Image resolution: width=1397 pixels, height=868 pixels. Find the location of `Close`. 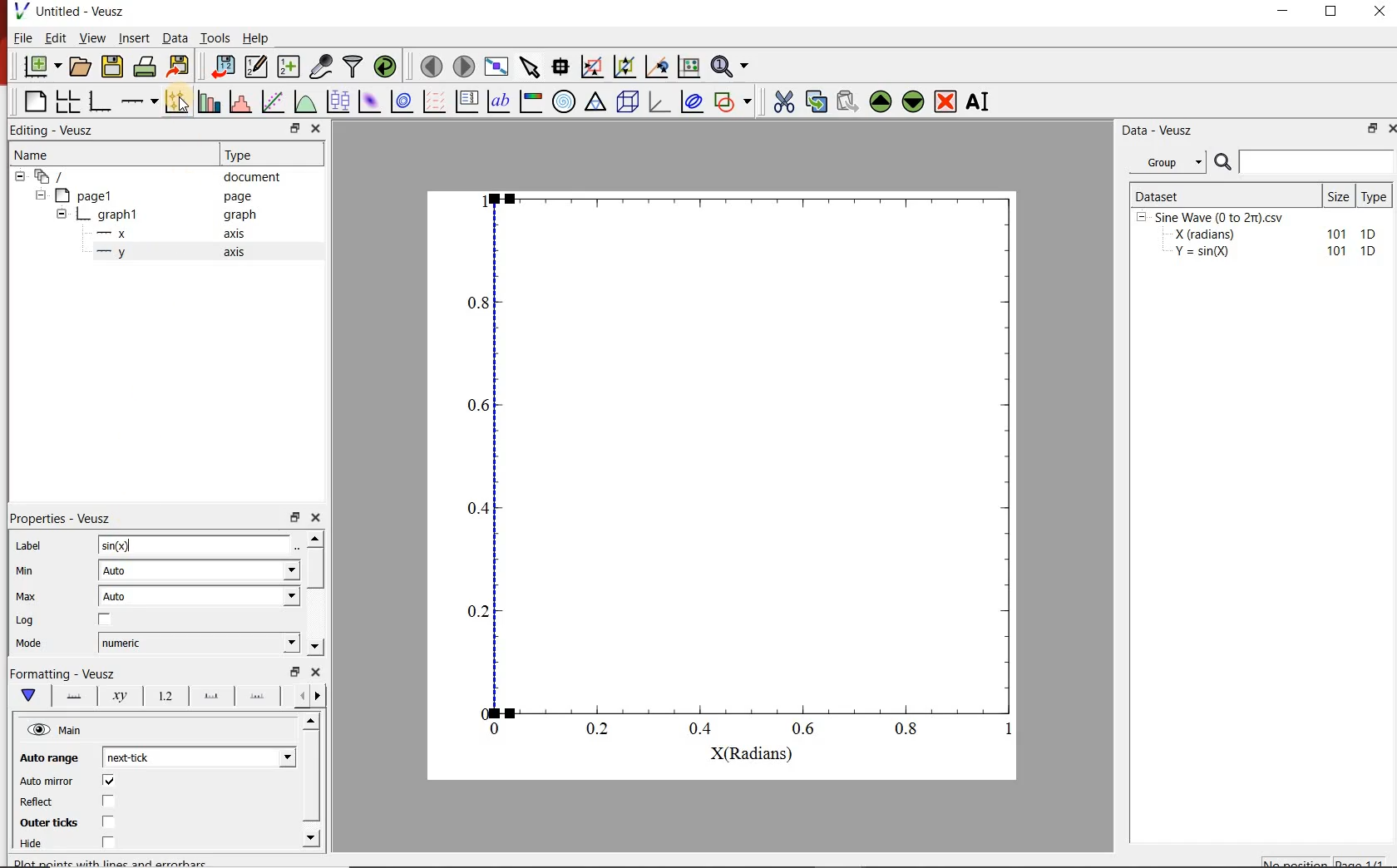

Close is located at coordinates (1381, 11).